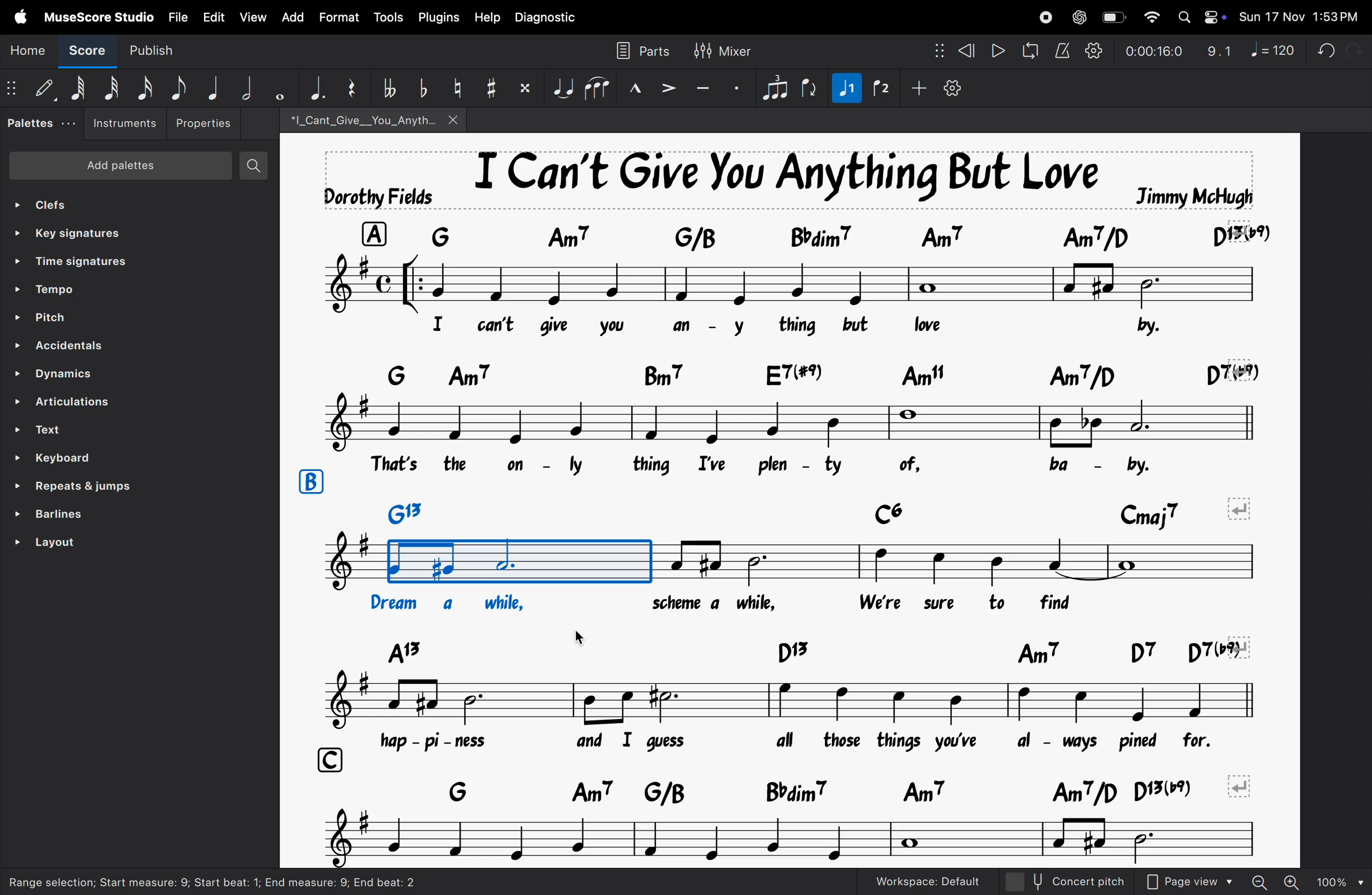  I want to click on eight note, so click(179, 87).